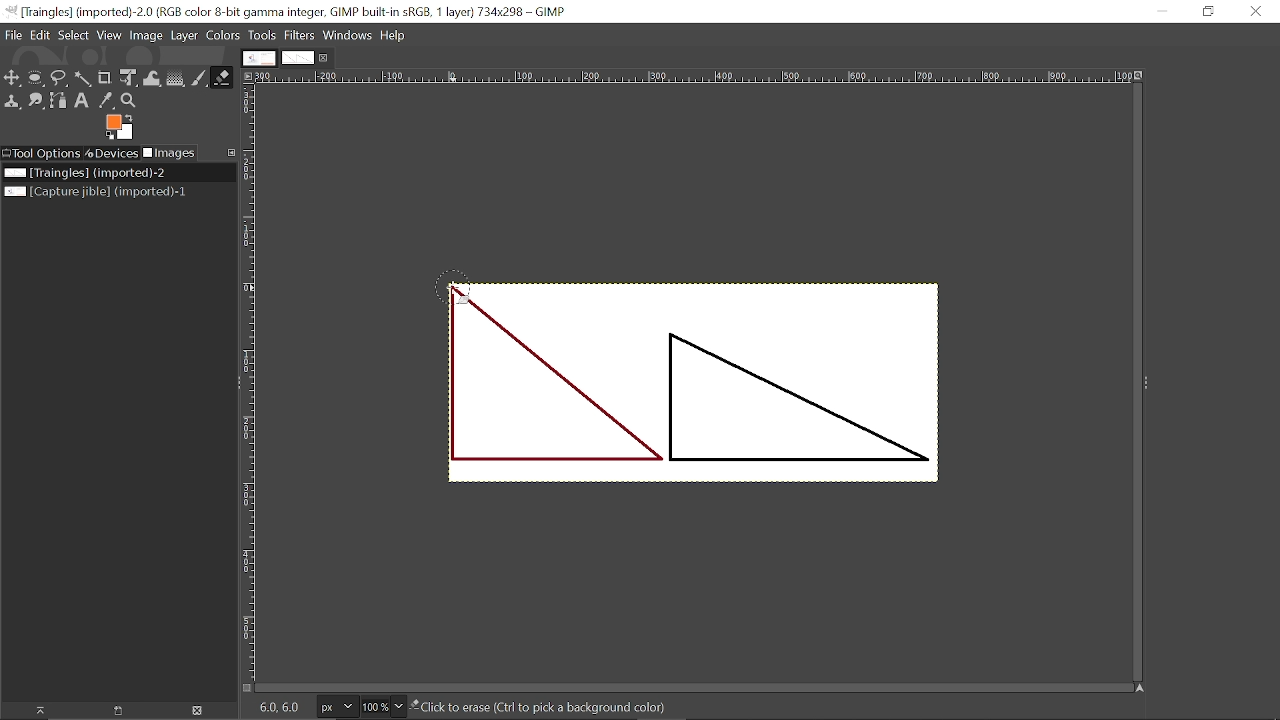  I want to click on Minimize, so click(1162, 12).